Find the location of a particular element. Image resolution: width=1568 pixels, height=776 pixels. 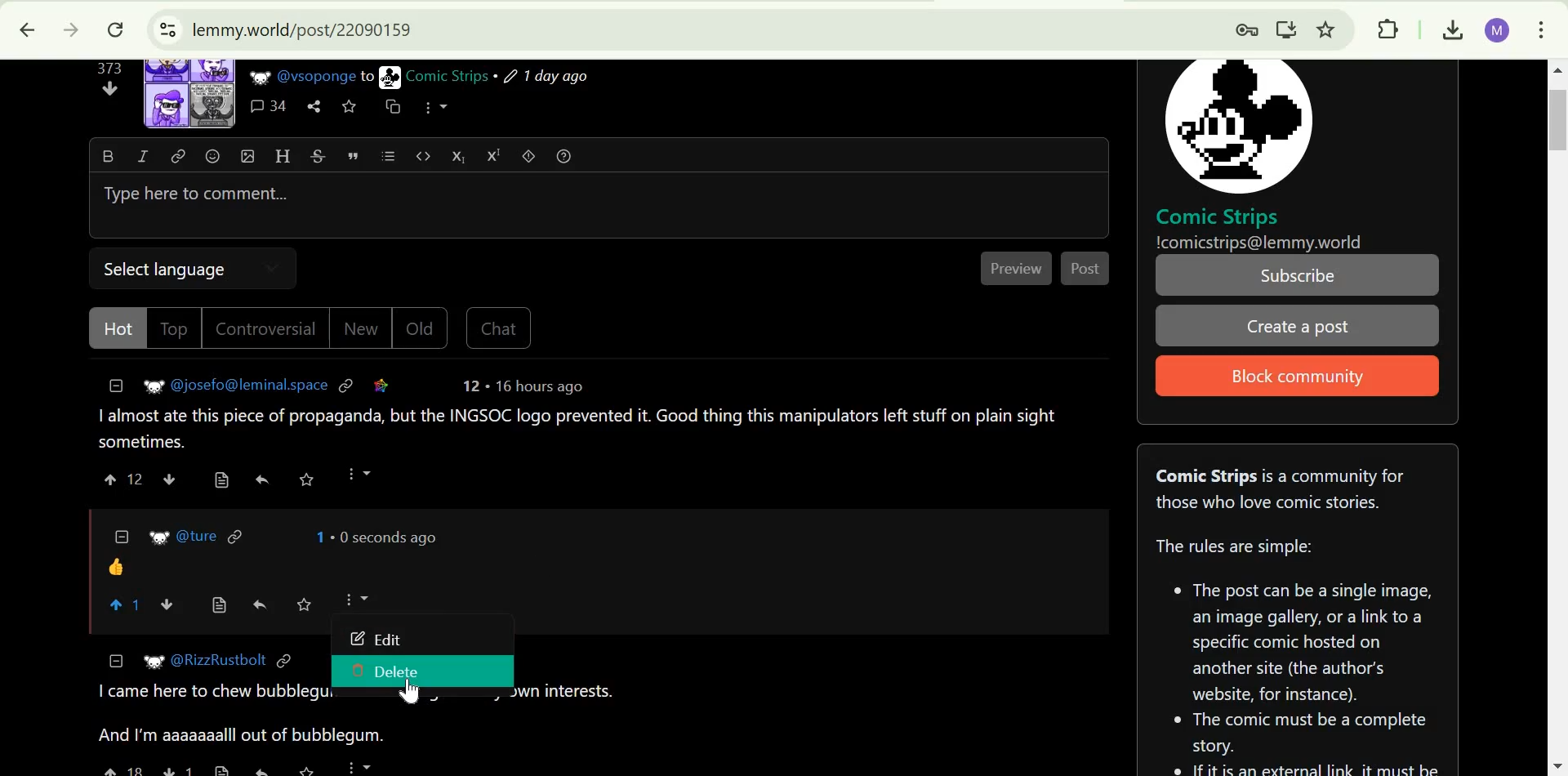

collapse is located at coordinates (117, 660).